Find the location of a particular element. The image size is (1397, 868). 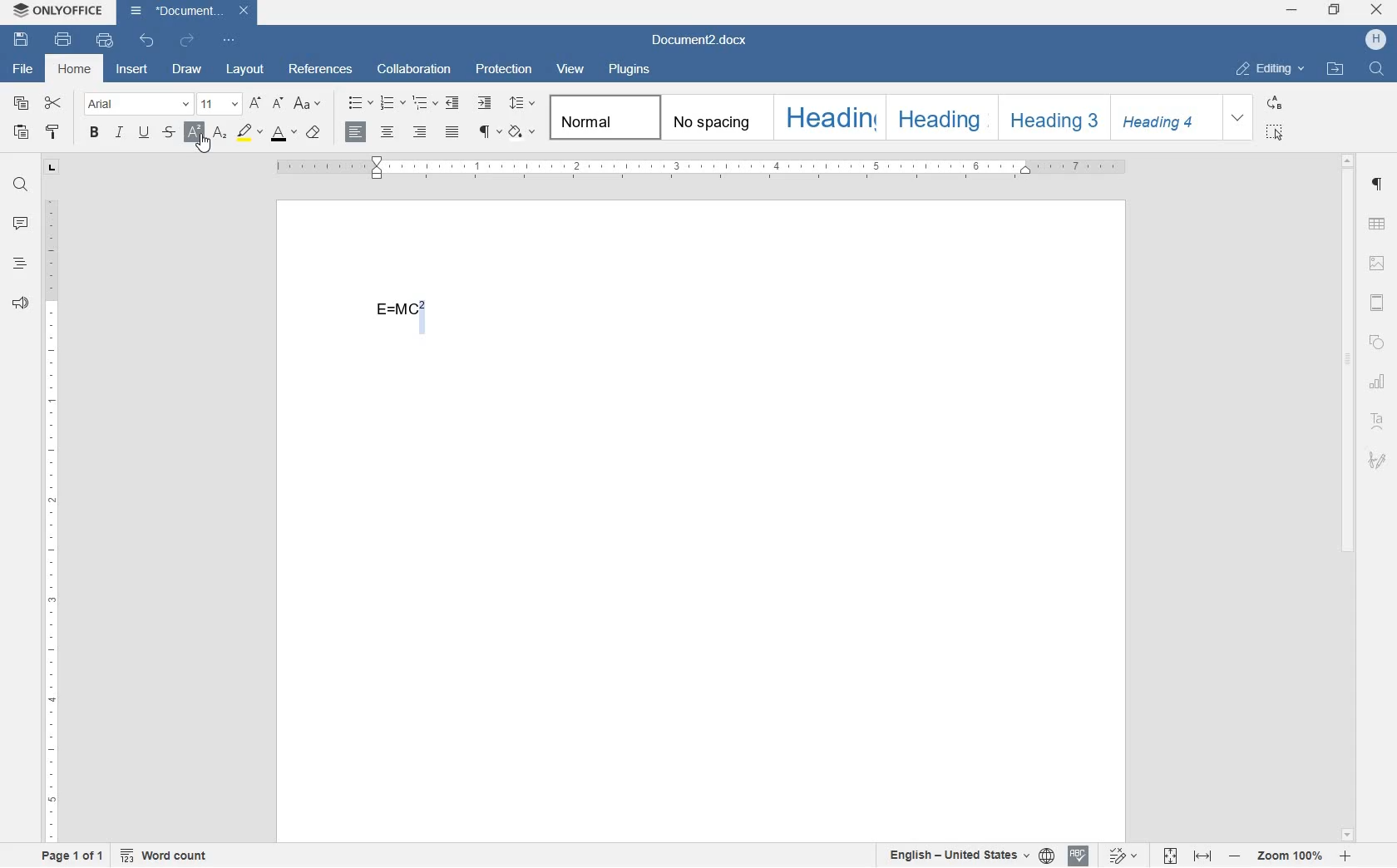

collaboration is located at coordinates (417, 69).